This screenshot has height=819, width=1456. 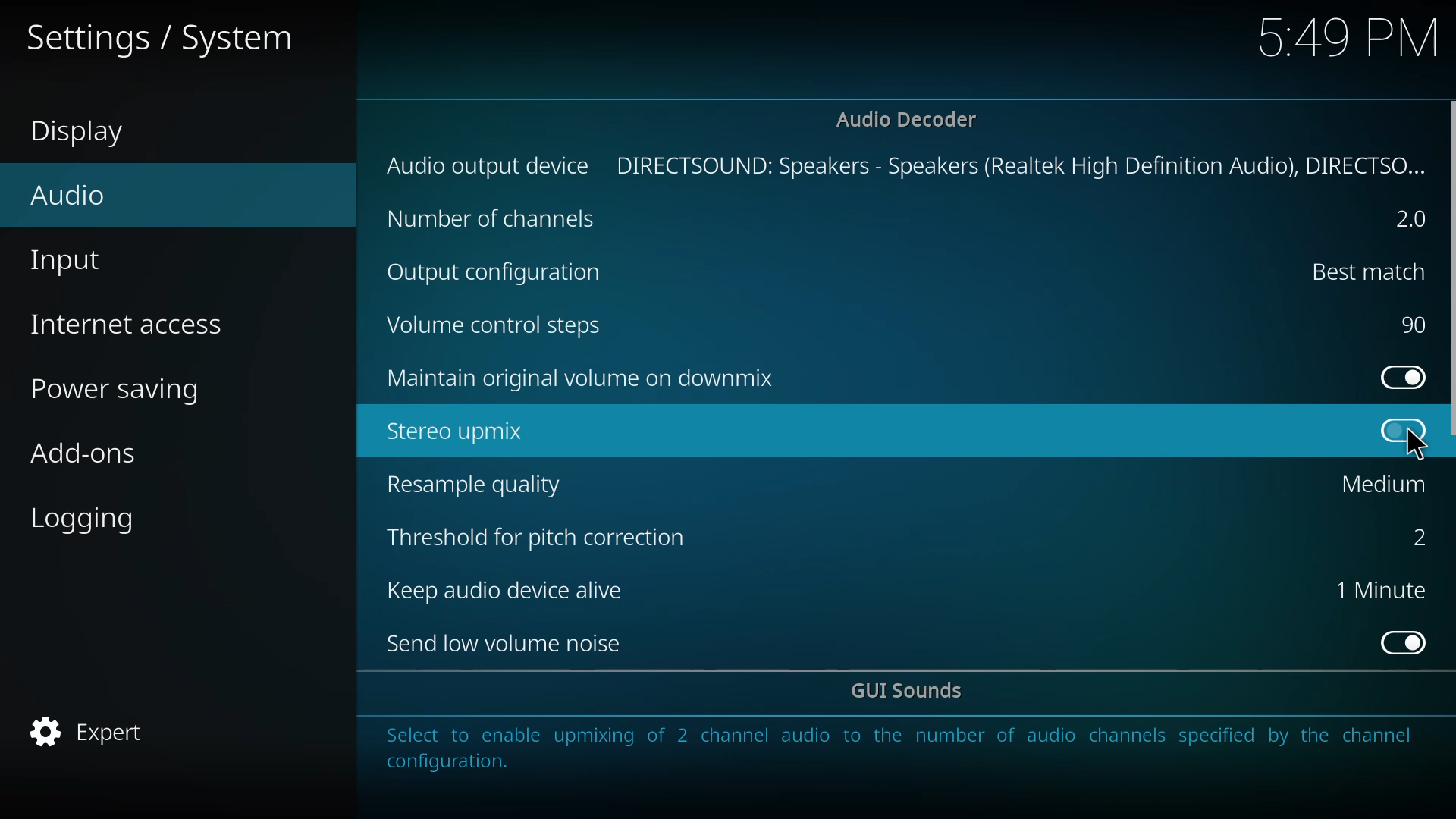 I want to click on audio output device, so click(x=488, y=165).